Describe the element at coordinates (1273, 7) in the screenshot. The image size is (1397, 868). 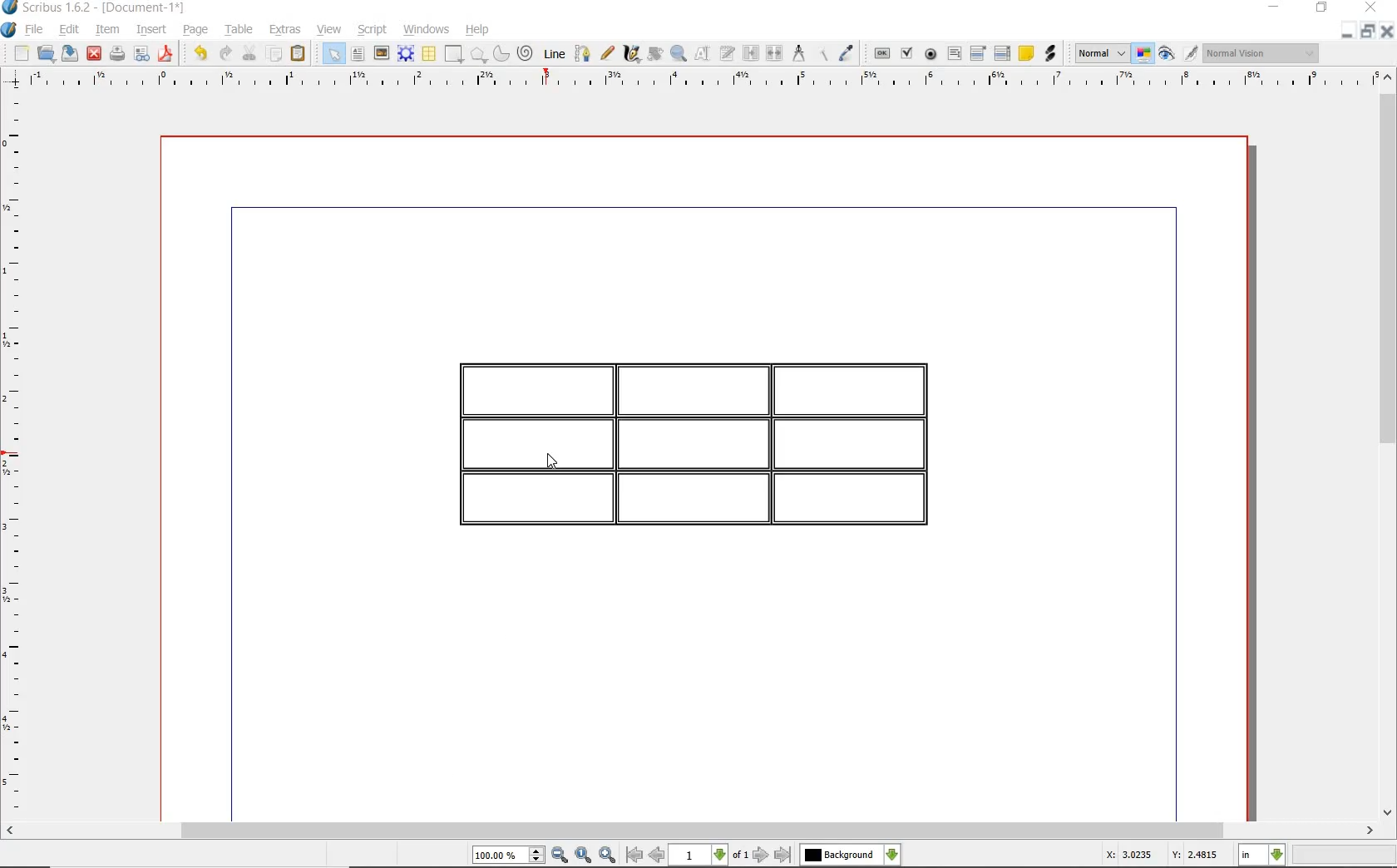
I see `MINIMIZE` at that location.